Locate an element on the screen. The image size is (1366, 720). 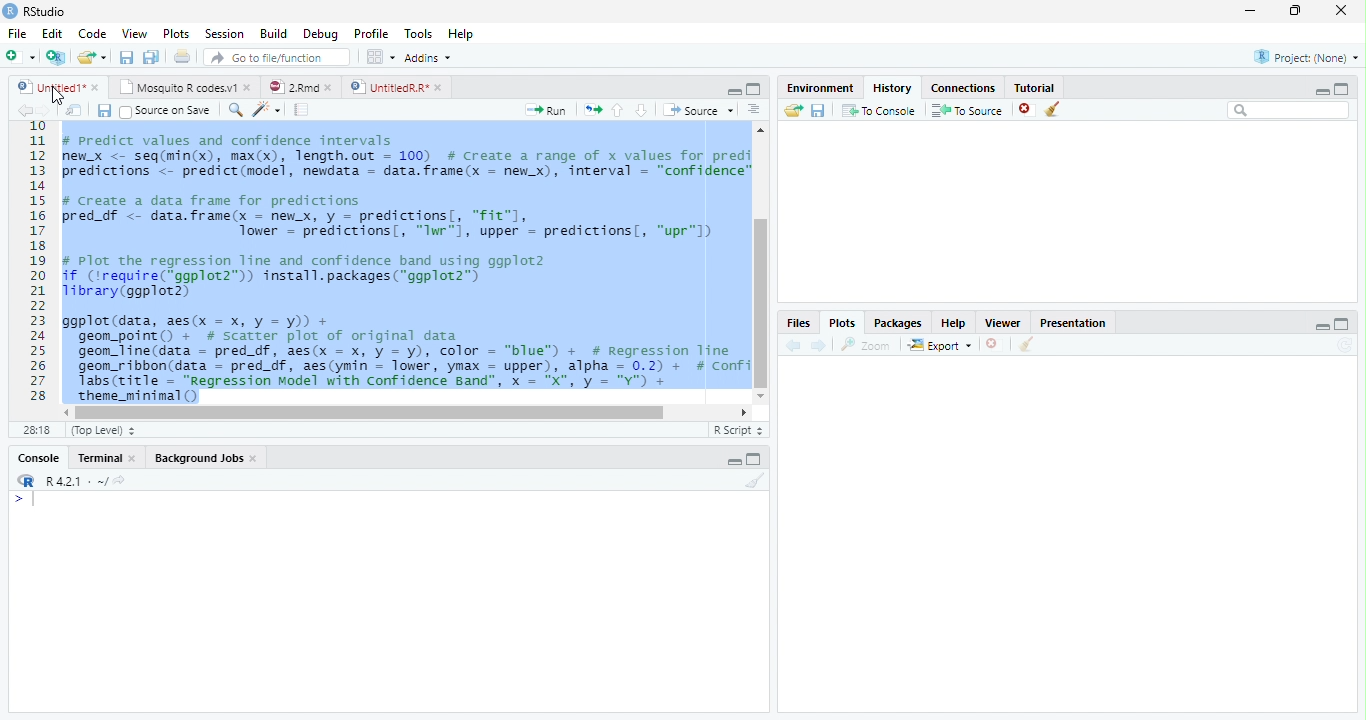
Close  is located at coordinates (1342, 12).